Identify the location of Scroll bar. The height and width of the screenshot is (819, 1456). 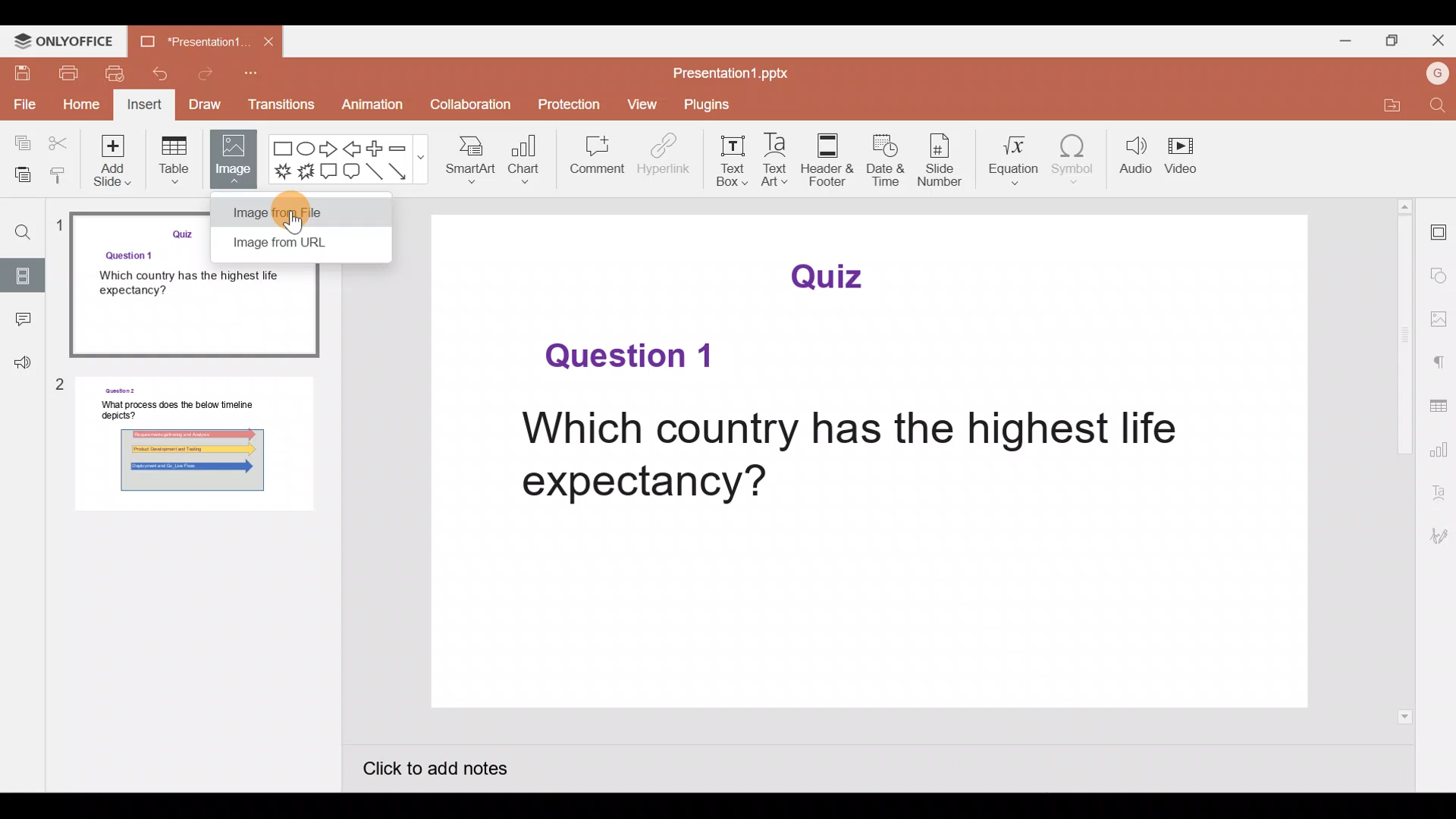
(1407, 461).